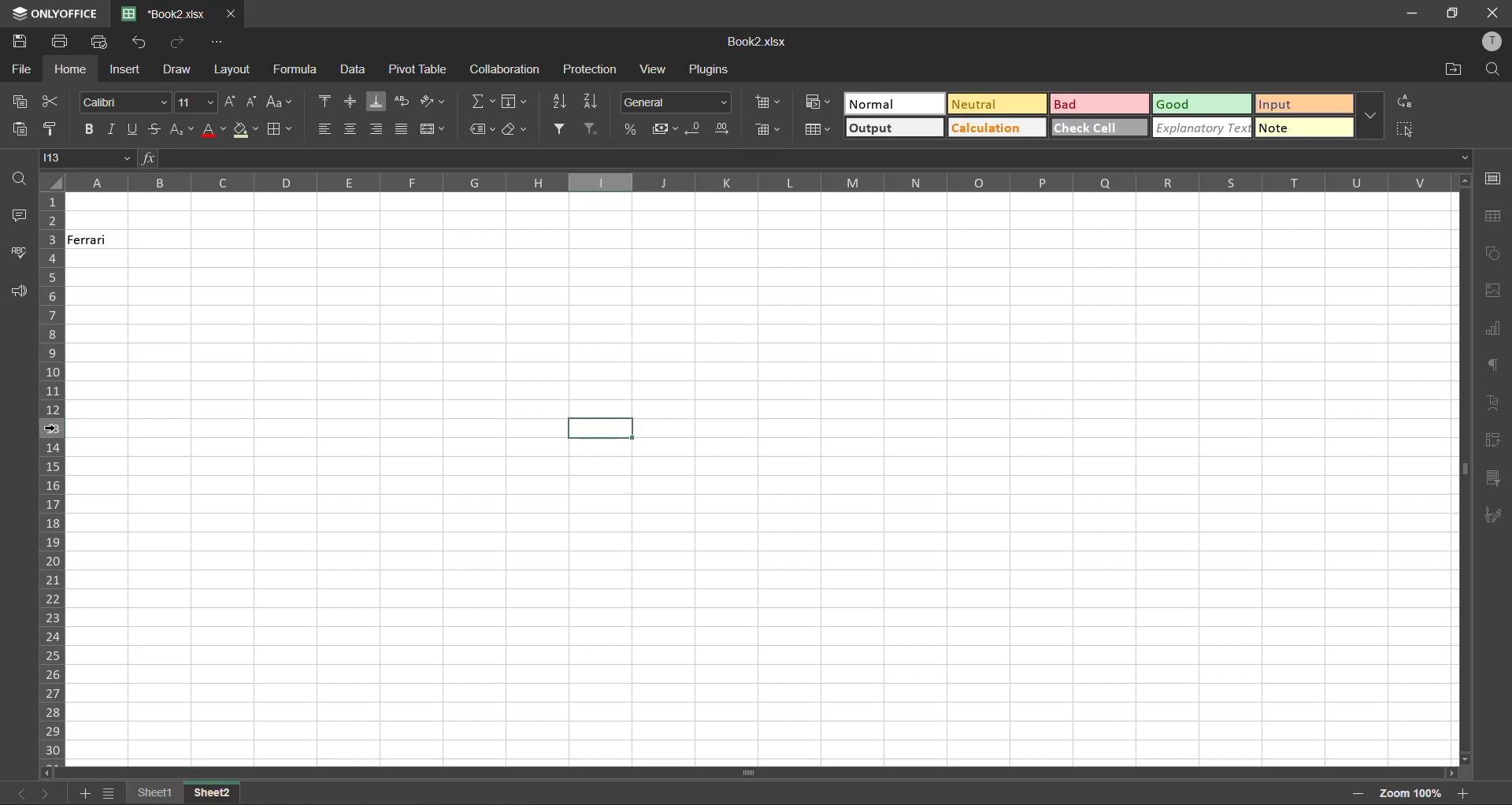 This screenshot has height=805, width=1512. Describe the element at coordinates (595, 102) in the screenshot. I see `sort descending` at that location.